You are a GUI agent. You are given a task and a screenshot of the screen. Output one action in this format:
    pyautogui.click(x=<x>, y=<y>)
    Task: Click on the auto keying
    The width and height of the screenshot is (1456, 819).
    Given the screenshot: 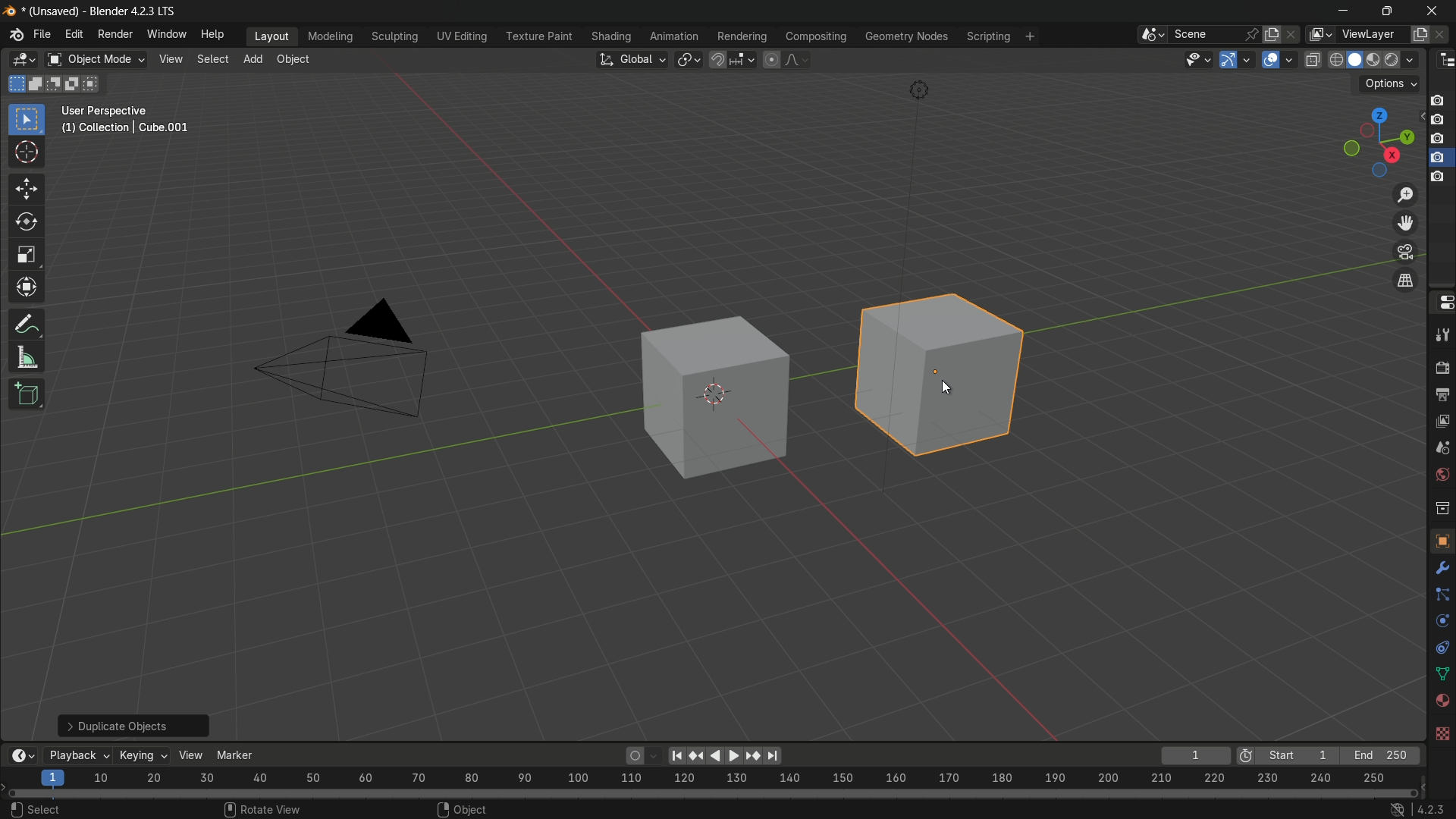 What is the action you would take?
    pyautogui.click(x=632, y=758)
    